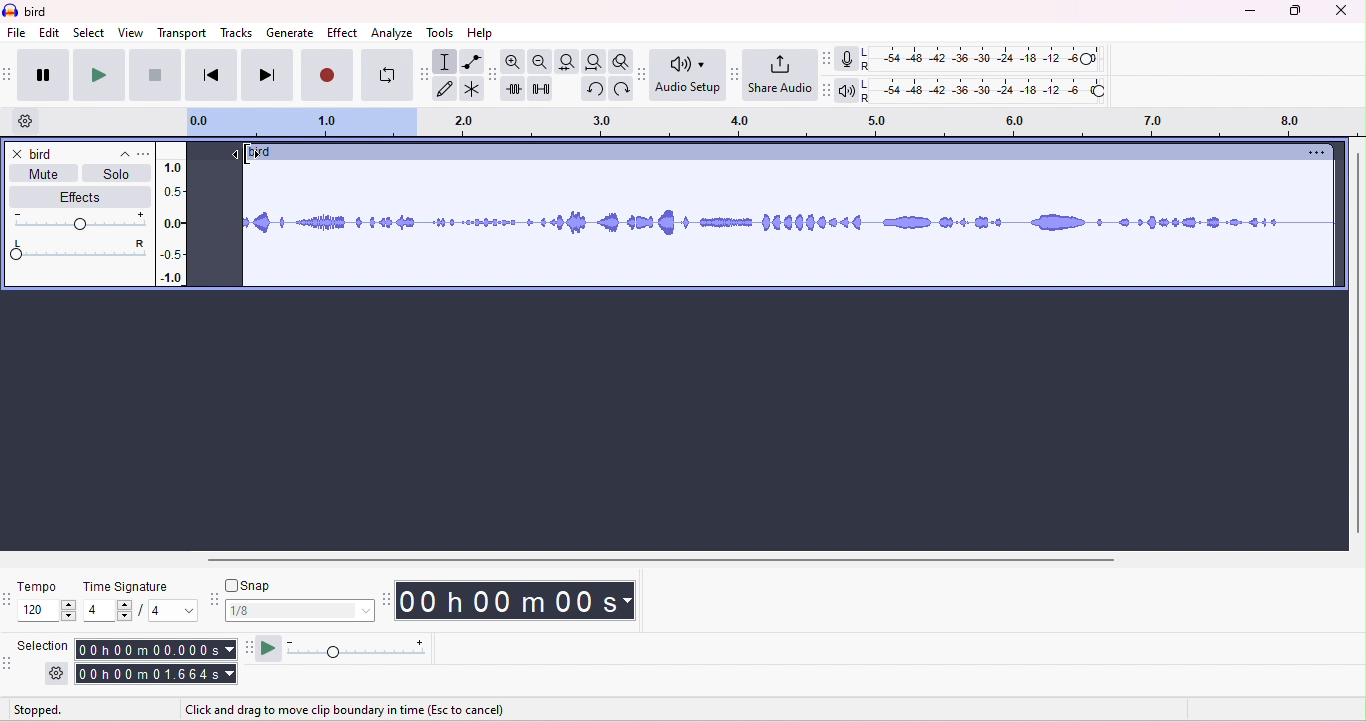 Image resolution: width=1366 pixels, height=722 pixels. Describe the element at coordinates (15, 153) in the screenshot. I see `close` at that location.